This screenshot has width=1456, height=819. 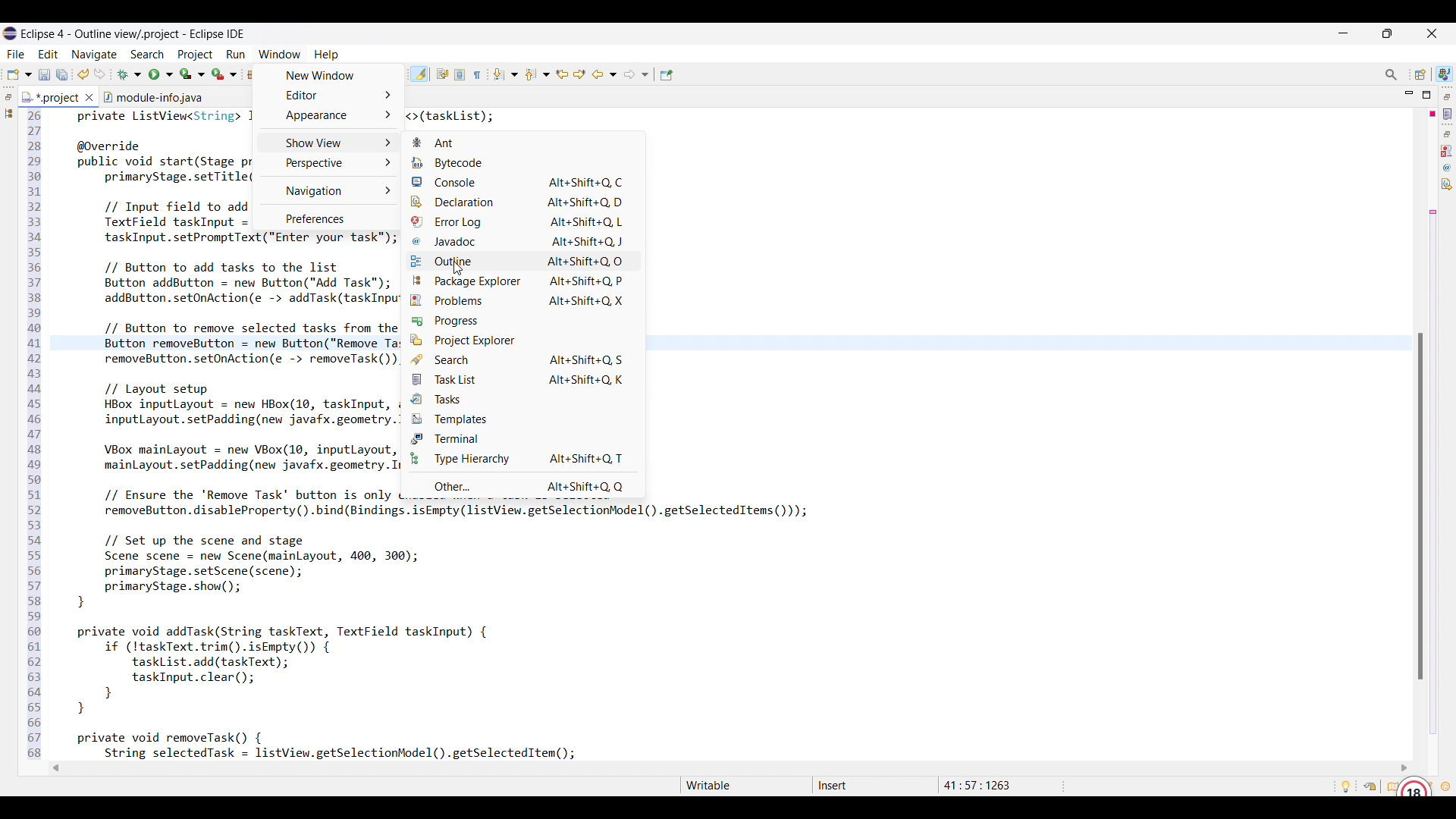 I want to click on Perspective options, so click(x=326, y=163).